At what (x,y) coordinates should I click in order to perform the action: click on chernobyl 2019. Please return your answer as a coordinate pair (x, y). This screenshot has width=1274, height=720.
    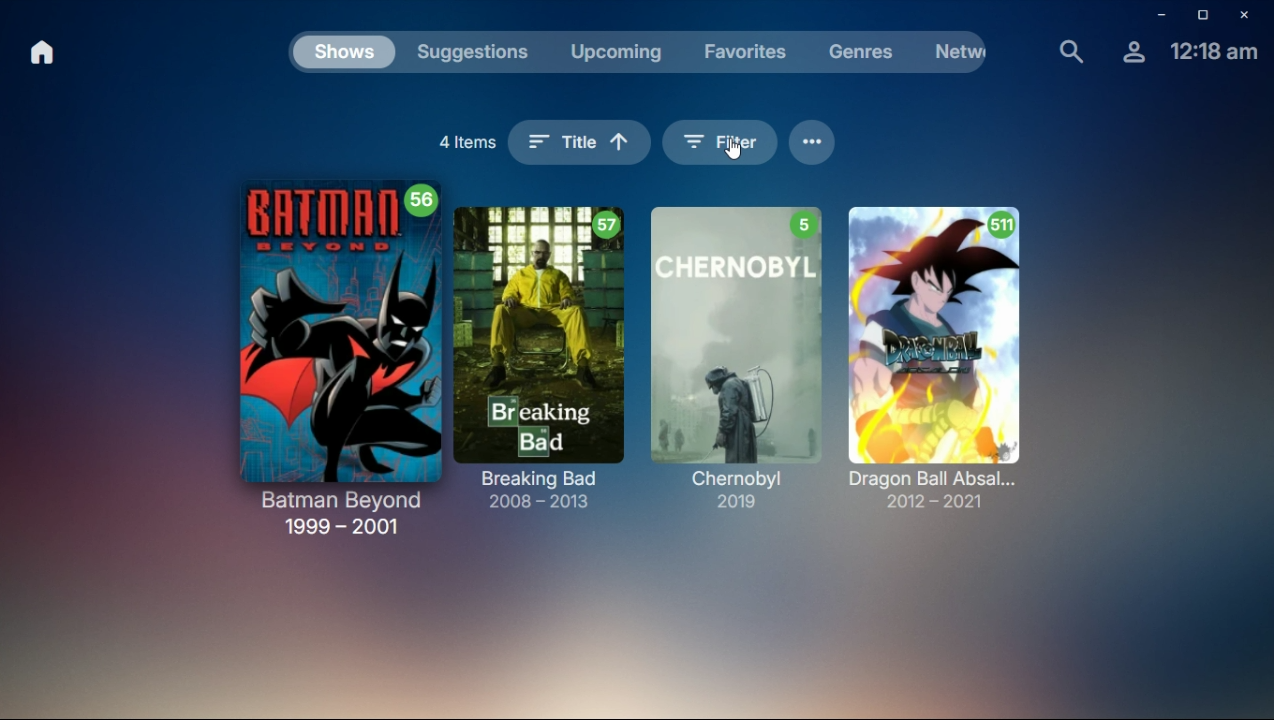
    Looking at the image, I should click on (739, 344).